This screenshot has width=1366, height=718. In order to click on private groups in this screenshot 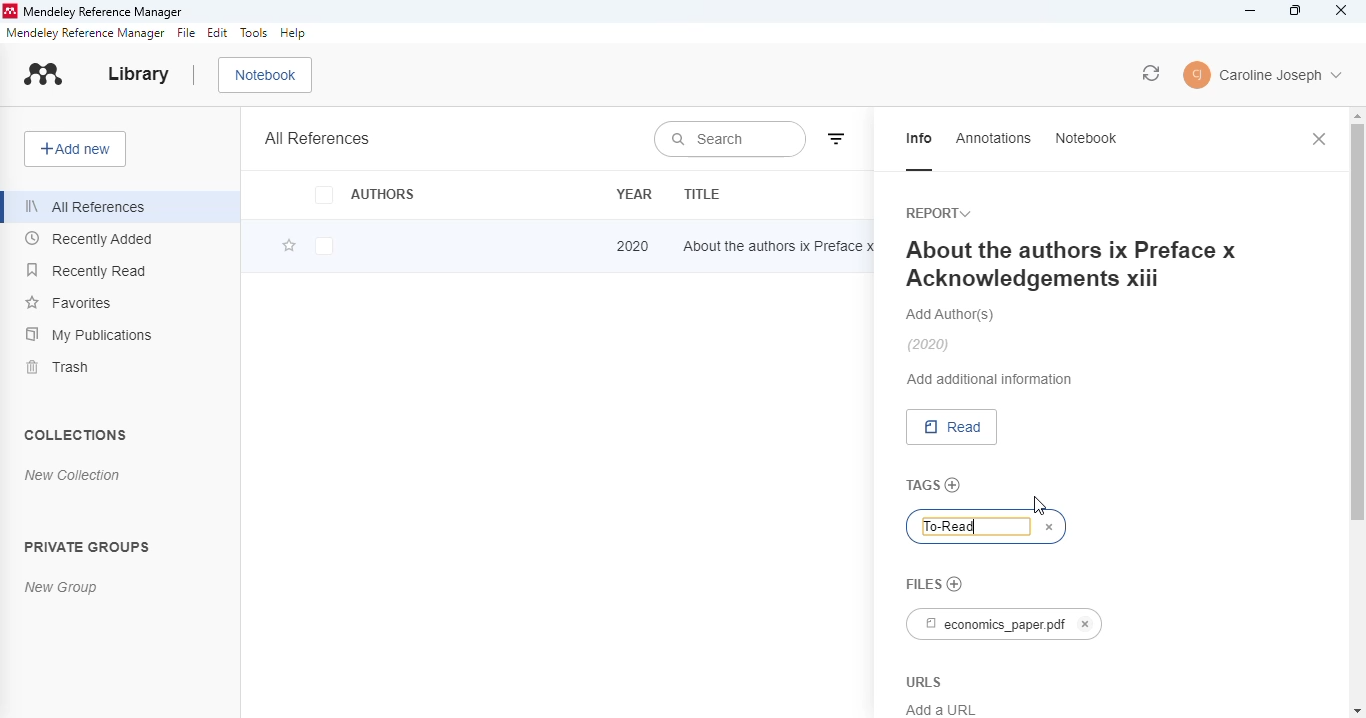, I will do `click(87, 545)`.